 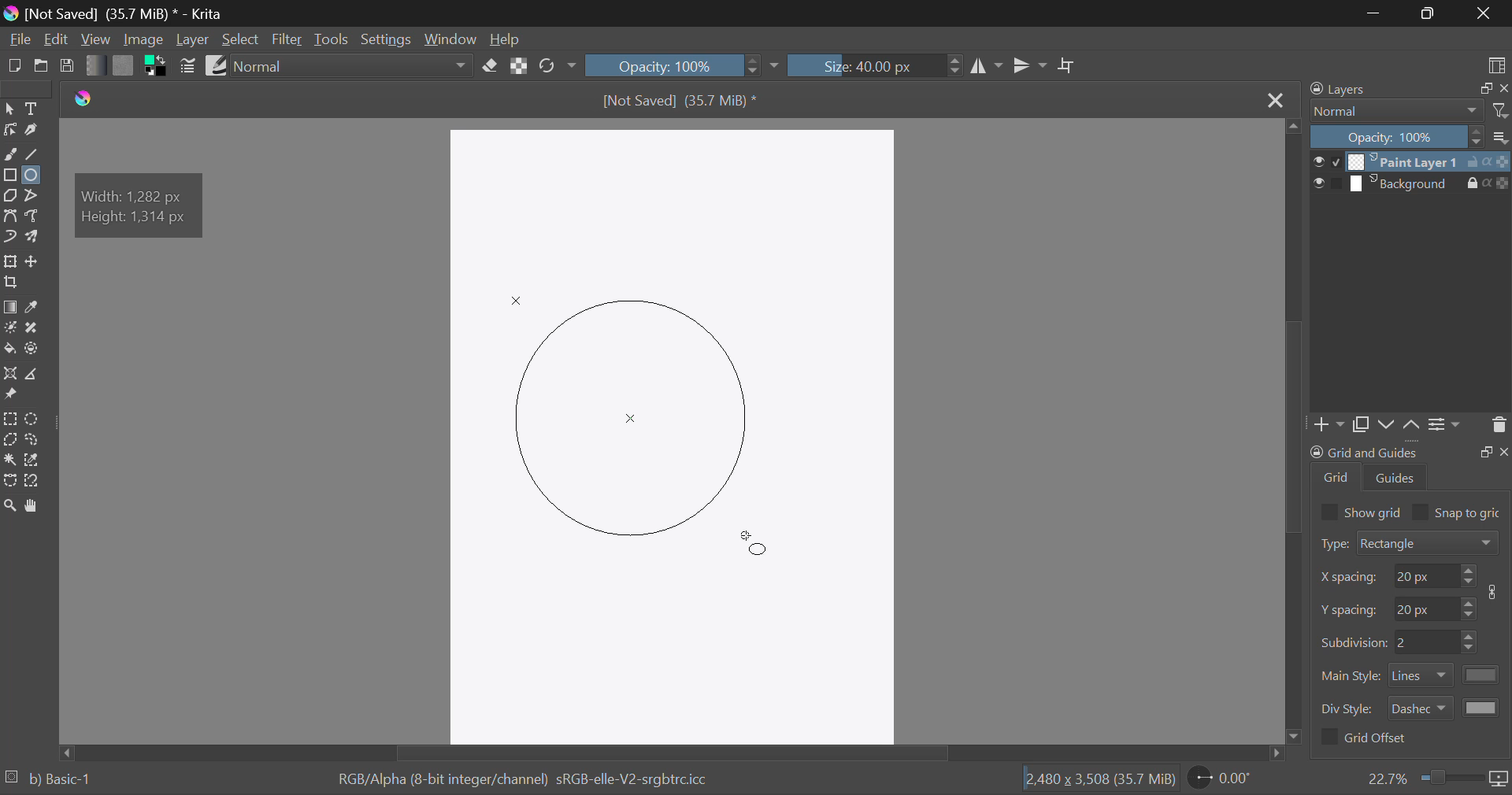 What do you see at coordinates (123, 68) in the screenshot?
I see `Pattern` at bounding box center [123, 68].